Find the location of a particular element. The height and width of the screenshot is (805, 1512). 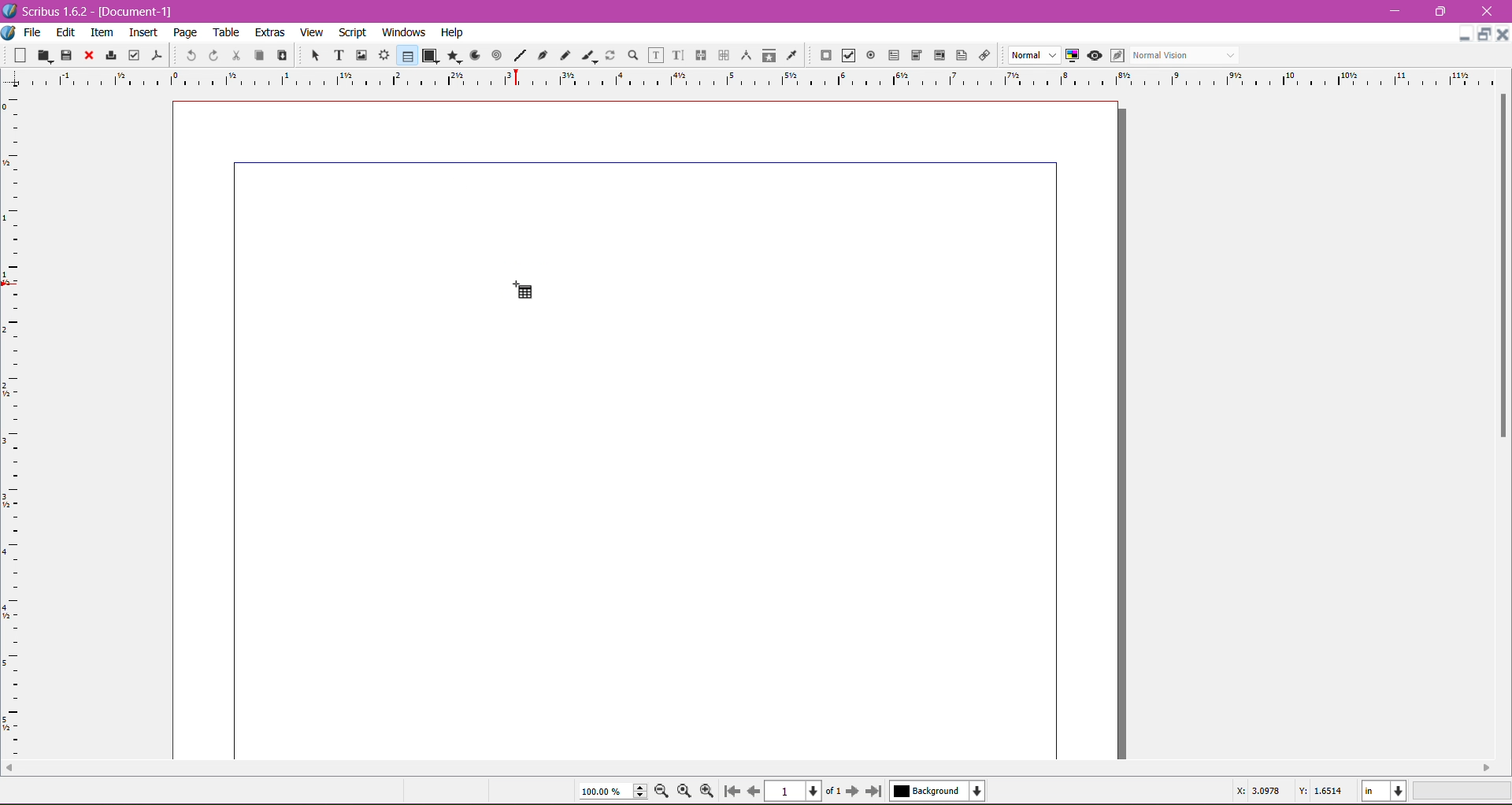

Last Page is located at coordinates (877, 792).